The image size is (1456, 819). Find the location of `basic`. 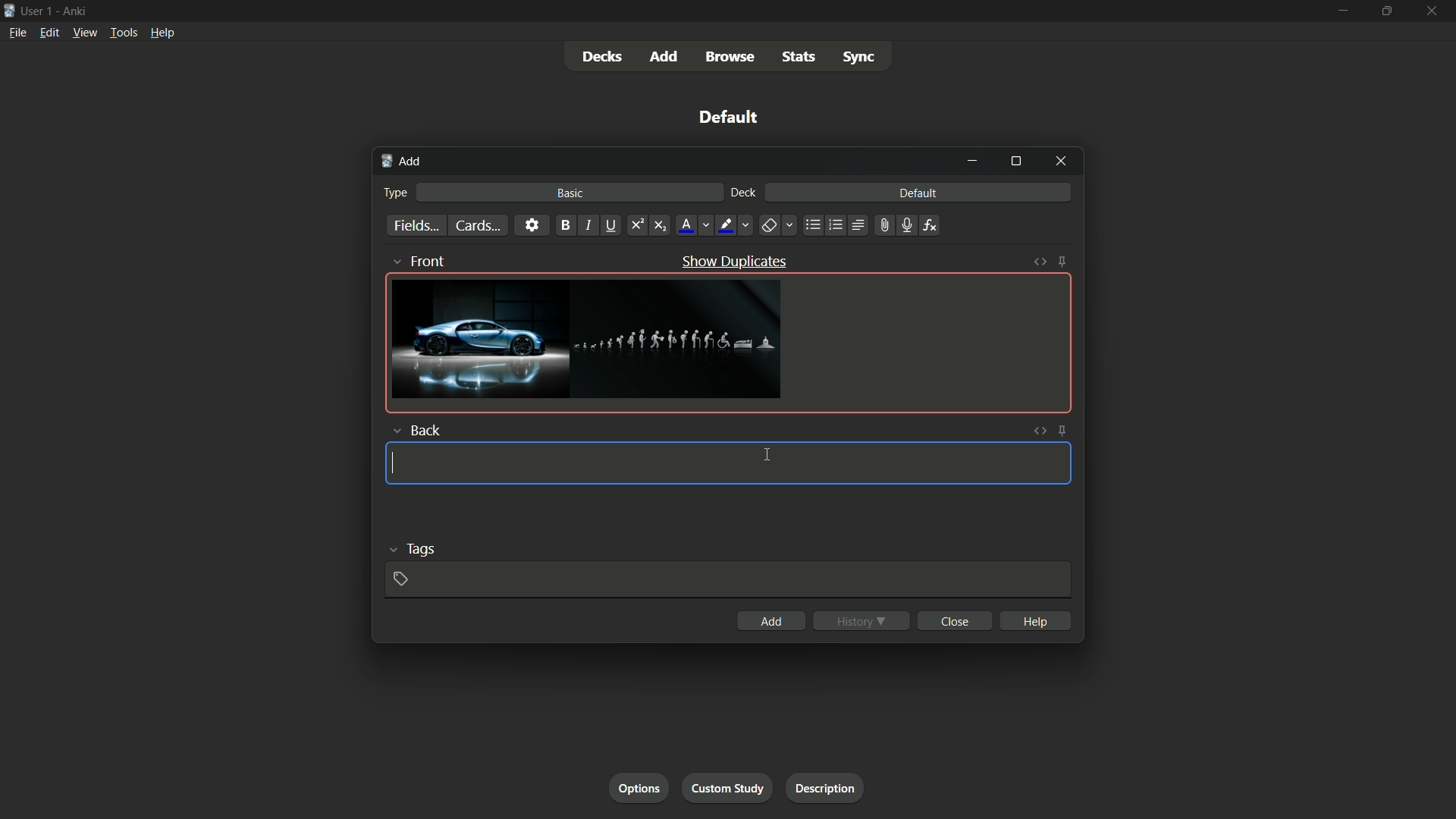

basic is located at coordinates (571, 194).